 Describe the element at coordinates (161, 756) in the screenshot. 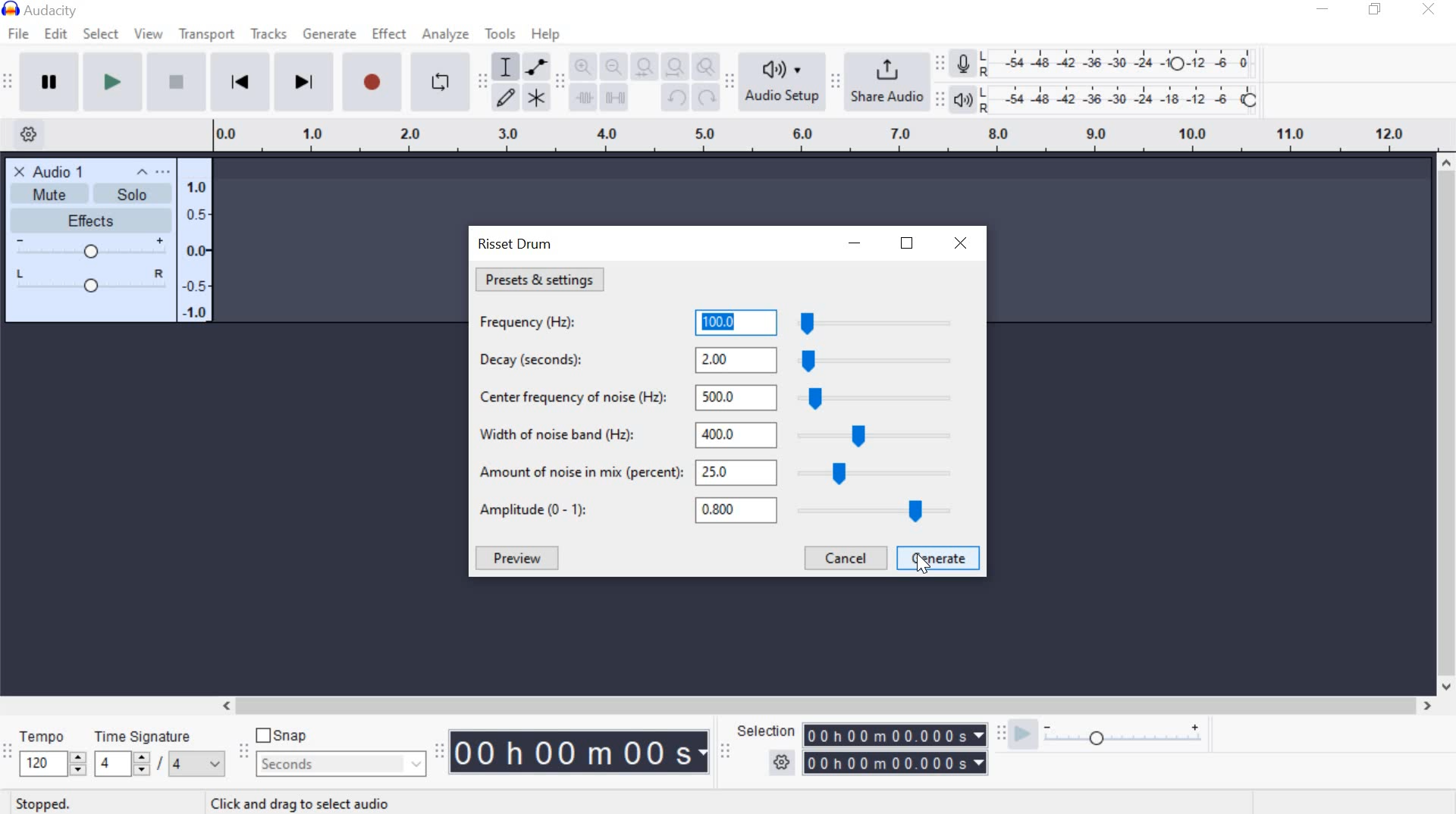

I see `Time signature` at that location.